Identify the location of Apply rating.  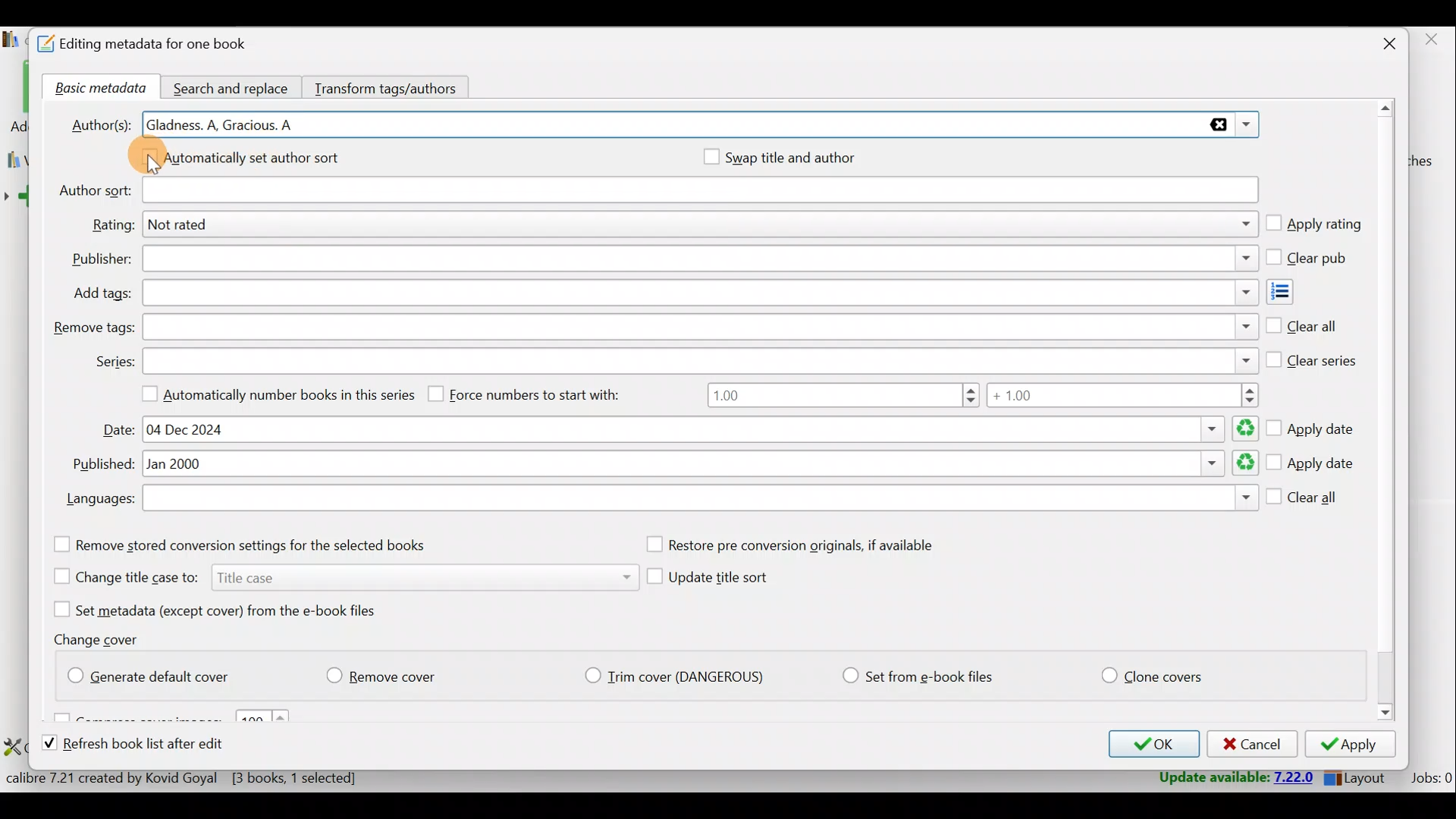
(1313, 225).